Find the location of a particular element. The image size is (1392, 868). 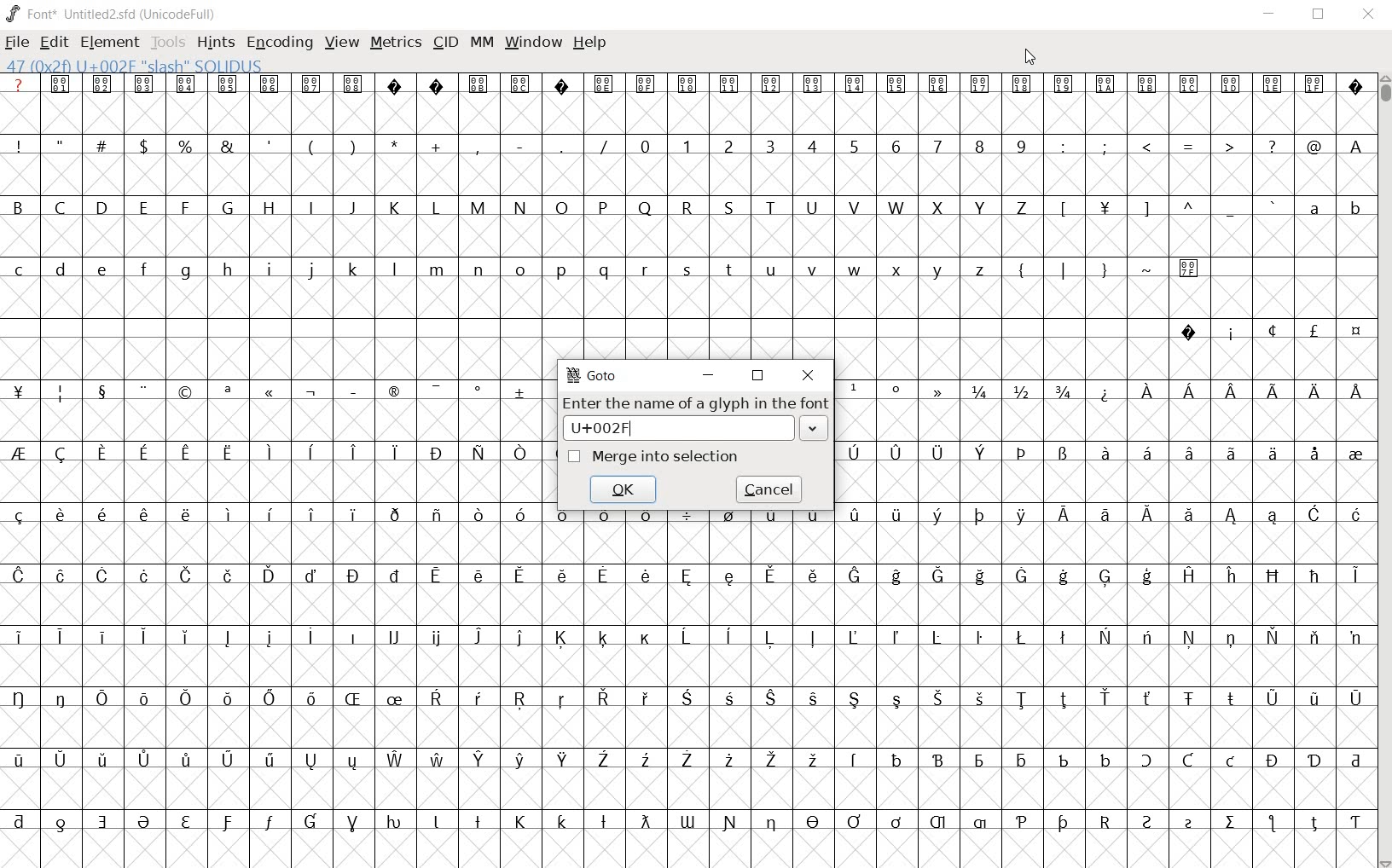

U+002f is located at coordinates (667, 428).